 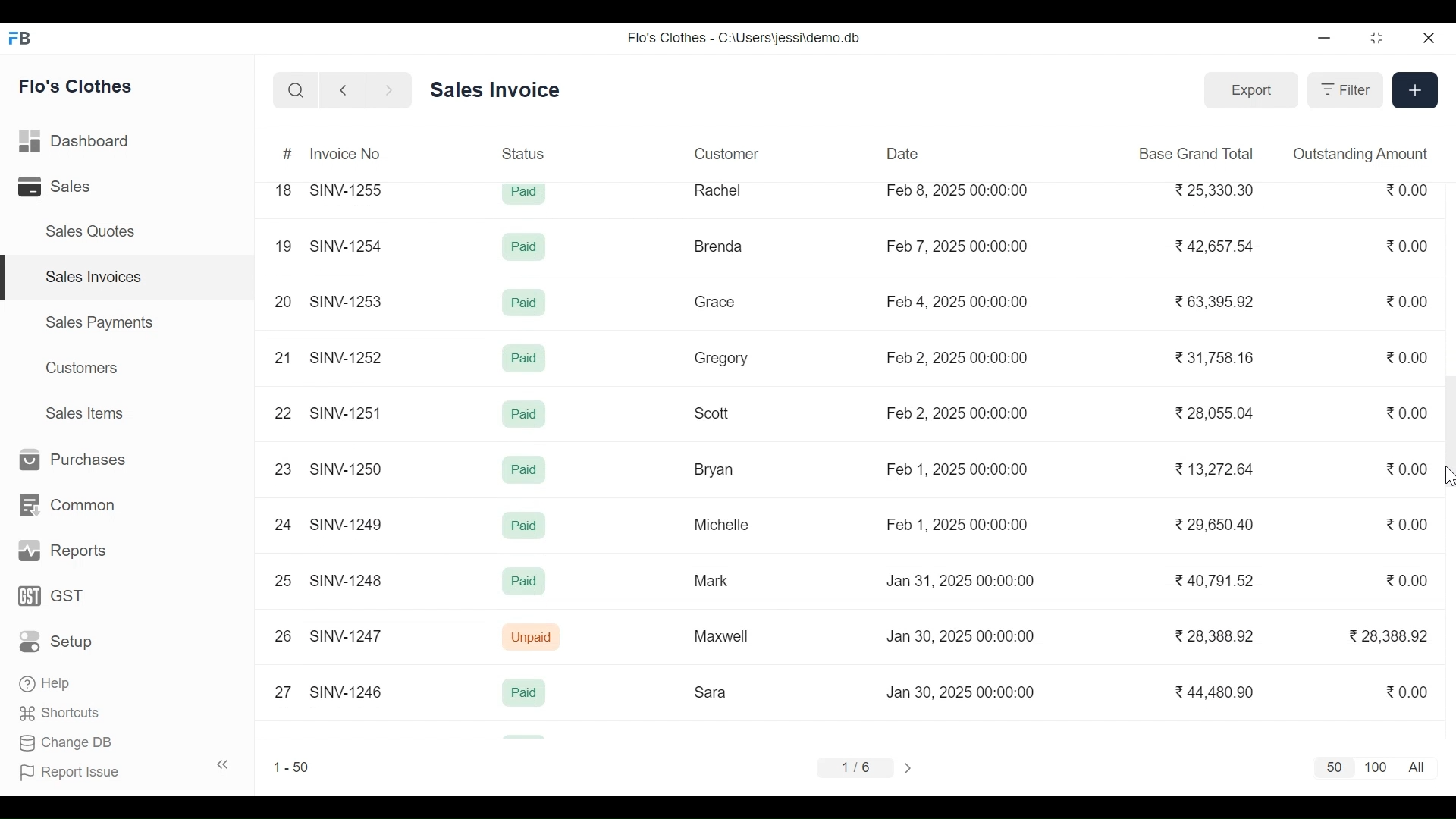 What do you see at coordinates (1331, 768) in the screenshot?
I see `50` at bounding box center [1331, 768].